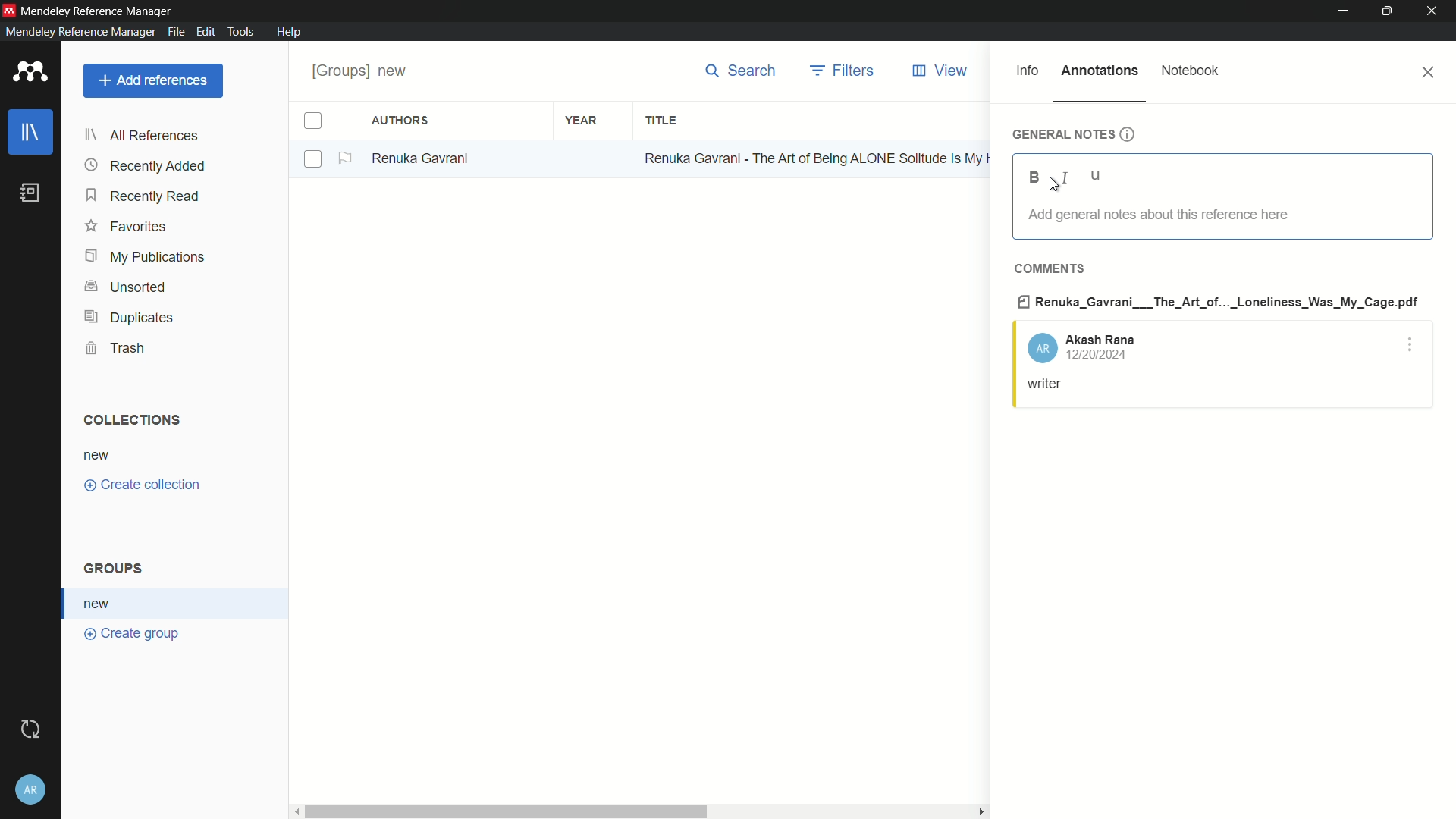 The height and width of the screenshot is (819, 1456). What do you see at coordinates (141, 137) in the screenshot?
I see `all references` at bounding box center [141, 137].